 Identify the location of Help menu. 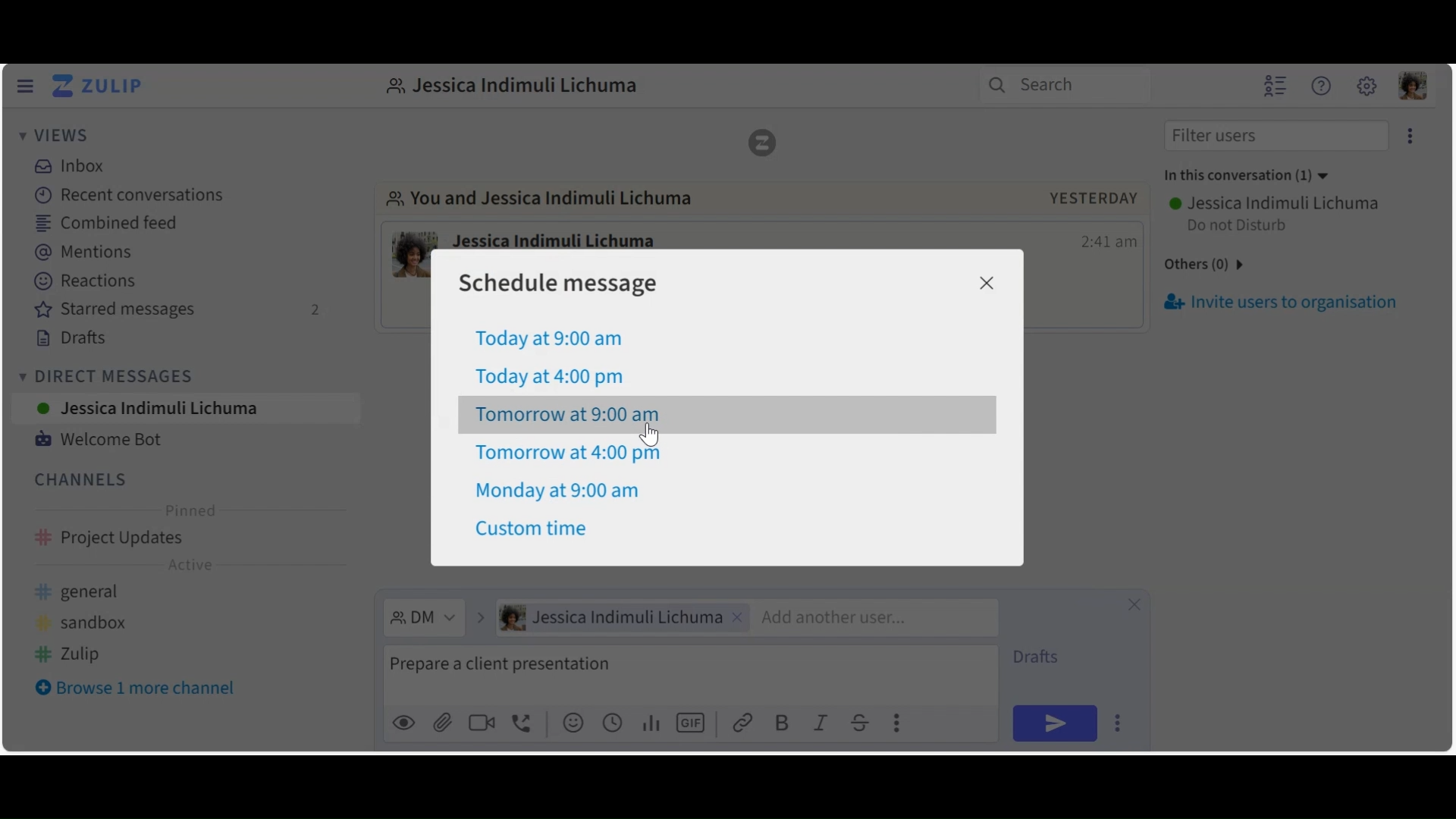
(1323, 86).